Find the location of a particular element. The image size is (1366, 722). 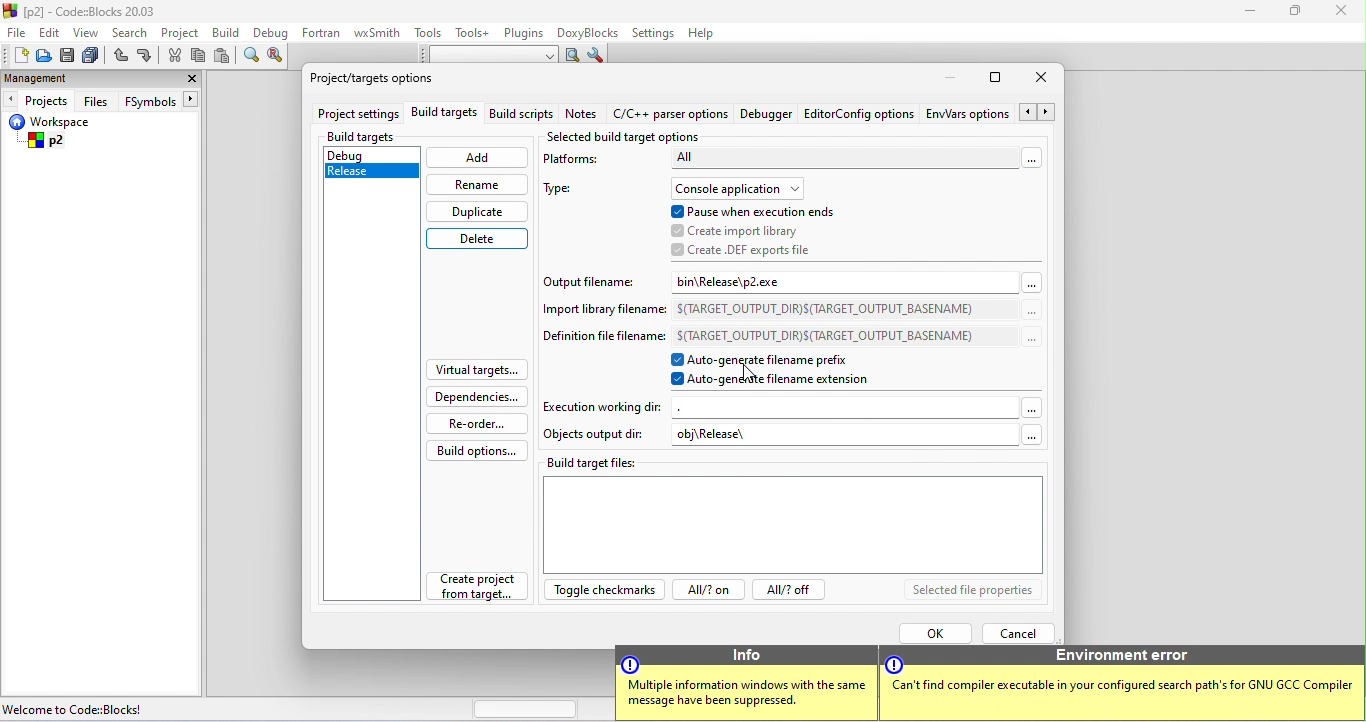

undo is located at coordinates (122, 56).